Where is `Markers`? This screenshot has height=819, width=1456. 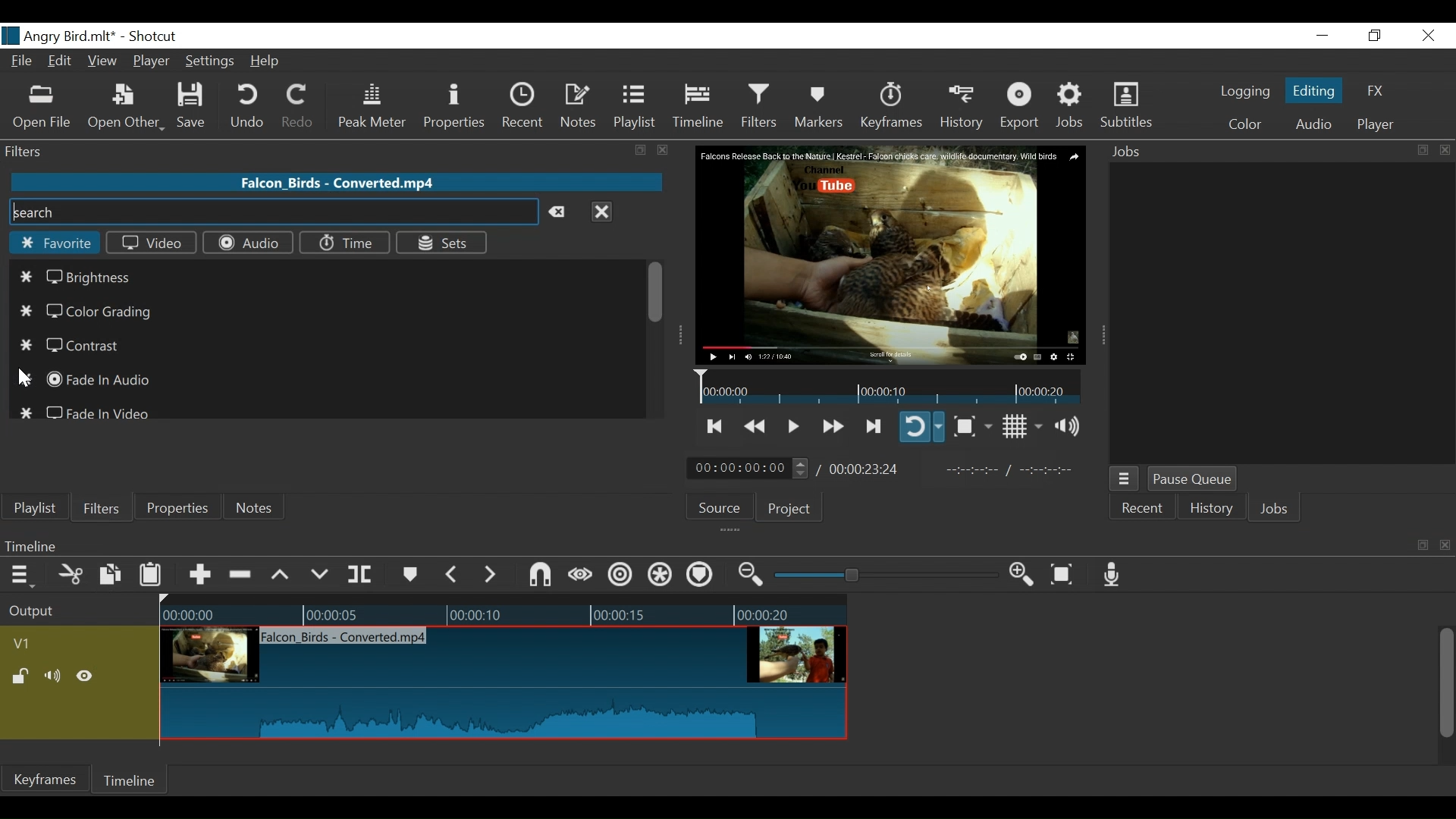 Markers is located at coordinates (818, 106).